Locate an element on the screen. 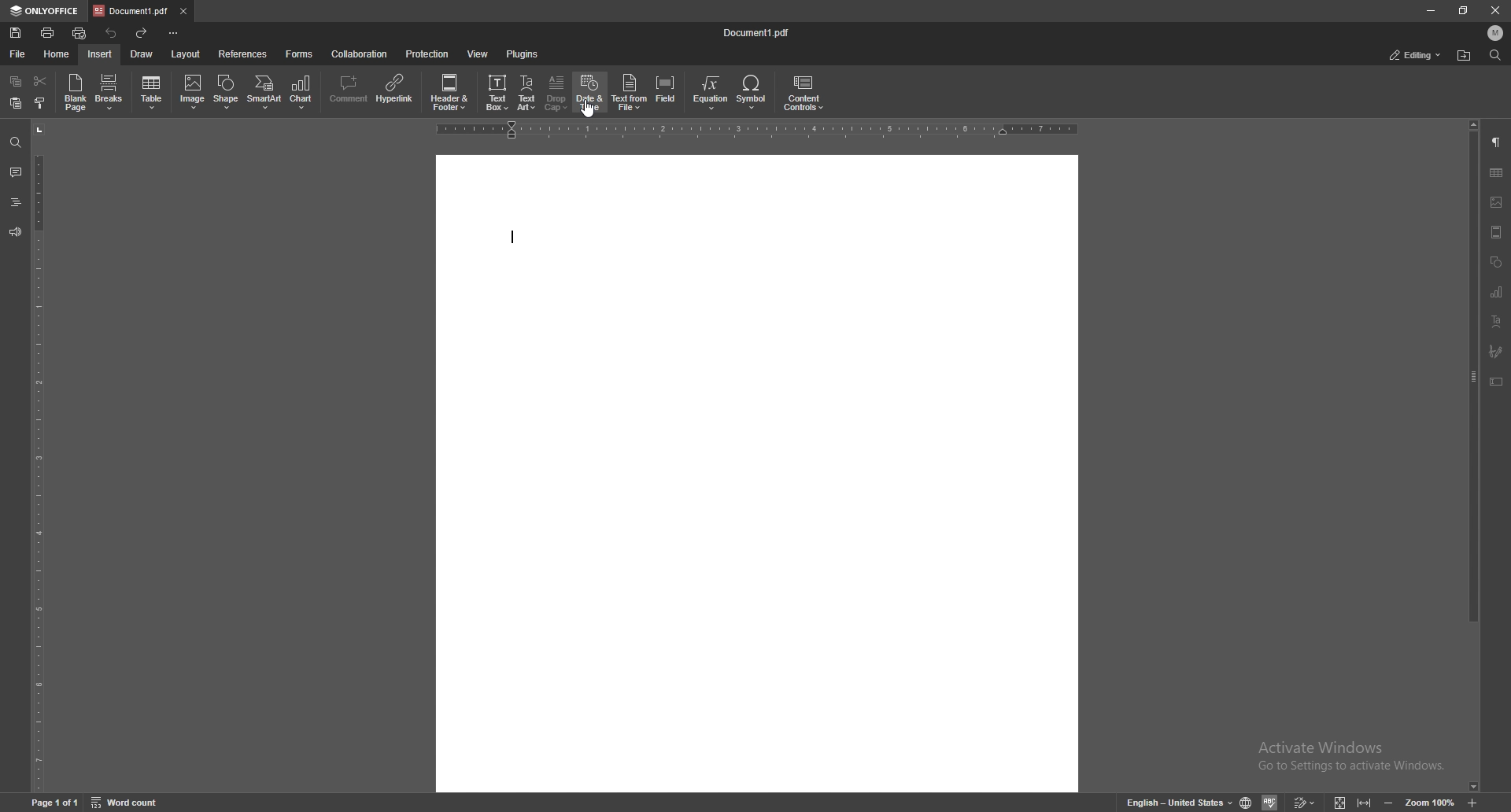 This screenshot has height=812, width=1511. resize is located at coordinates (1464, 10).